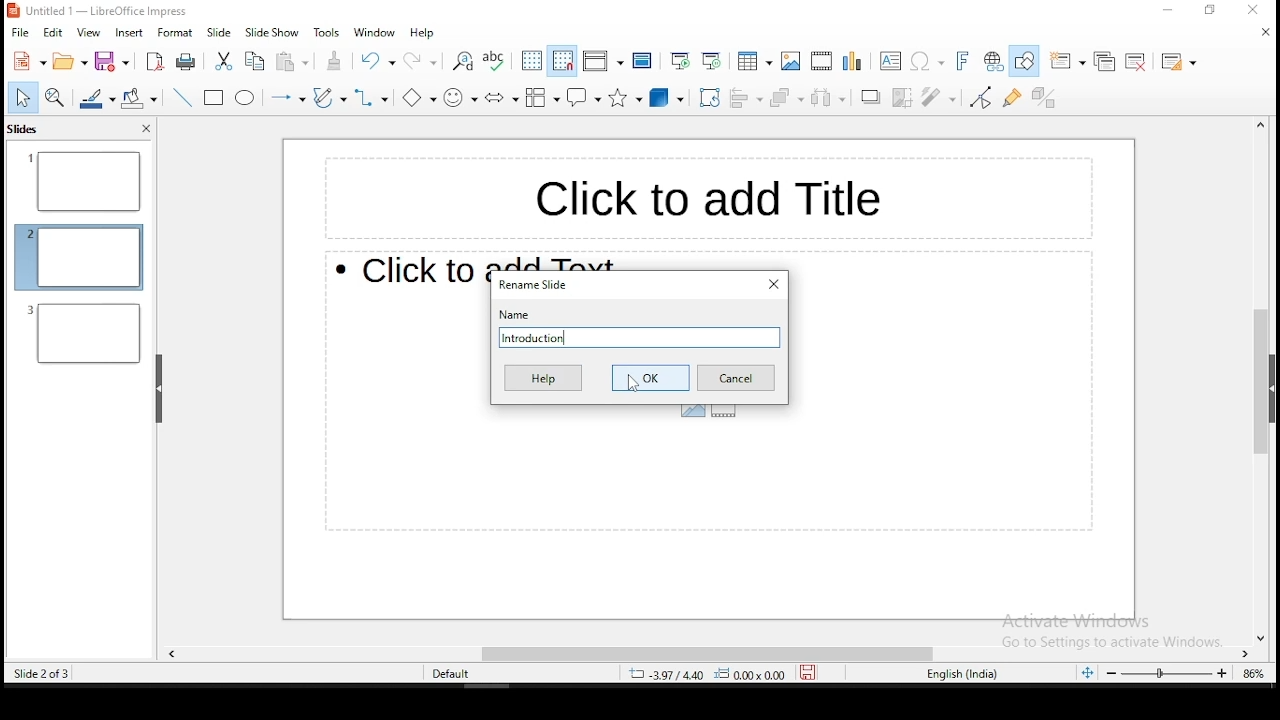 Image resolution: width=1280 pixels, height=720 pixels. Describe the element at coordinates (128, 33) in the screenshot. I see `insert` at that location.